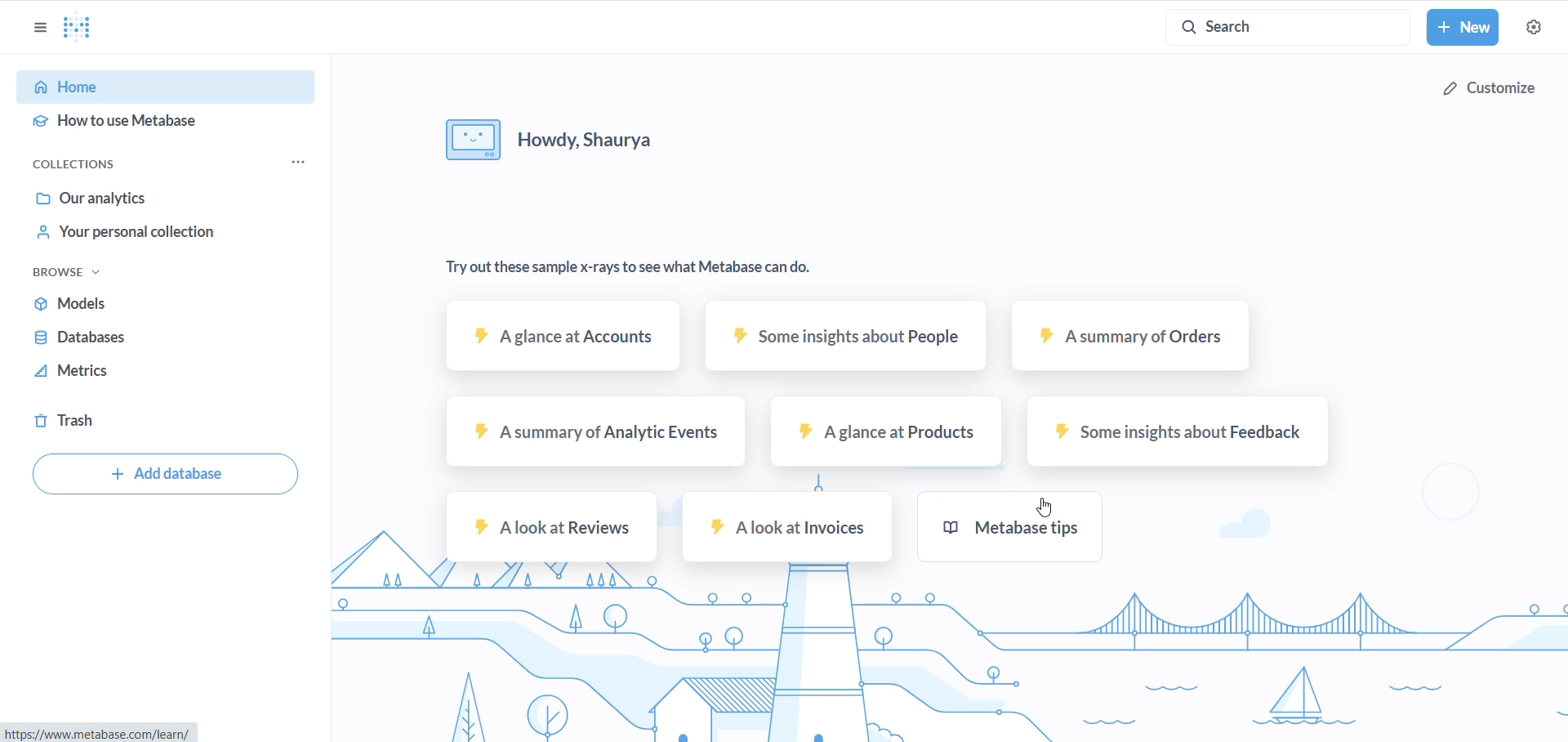 Image resolution: width=1568 pixels, height=742 pixels. I want to click on metabase tips, so click(1041, 529).